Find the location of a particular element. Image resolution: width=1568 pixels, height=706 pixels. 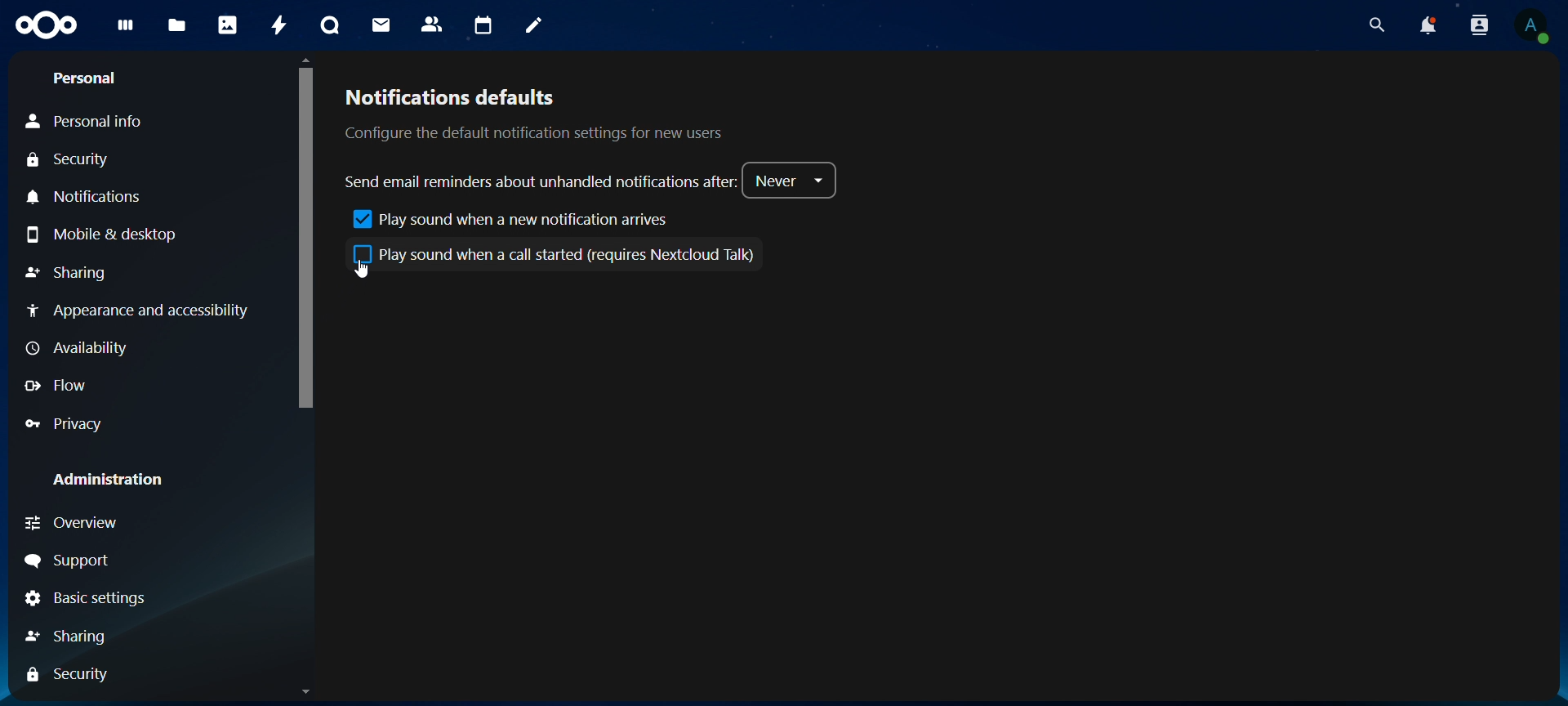

send email reminders about unhandled notifications after is located at coordinates (538, 180).